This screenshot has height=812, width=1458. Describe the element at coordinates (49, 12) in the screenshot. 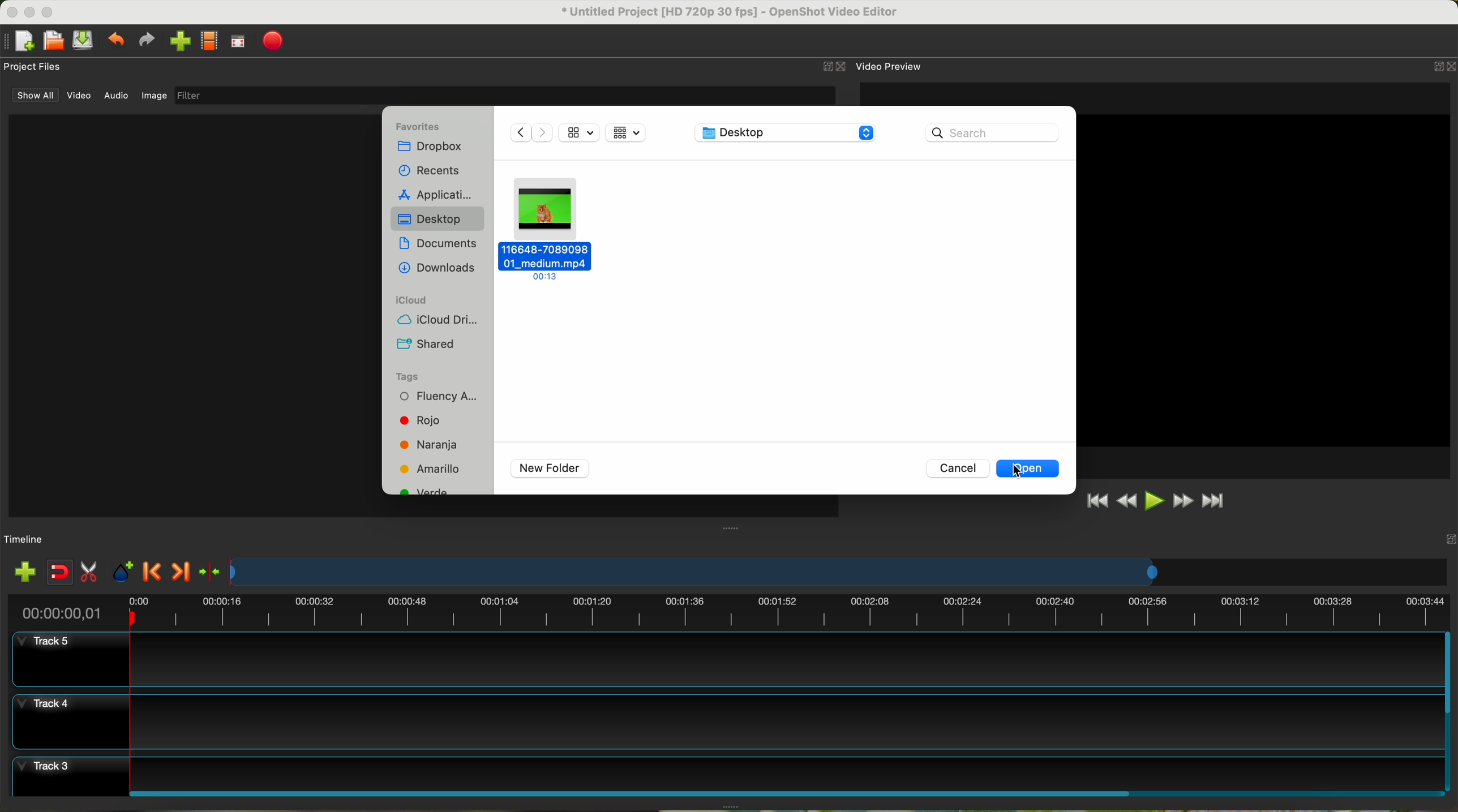

I see `maximize program` at that location.